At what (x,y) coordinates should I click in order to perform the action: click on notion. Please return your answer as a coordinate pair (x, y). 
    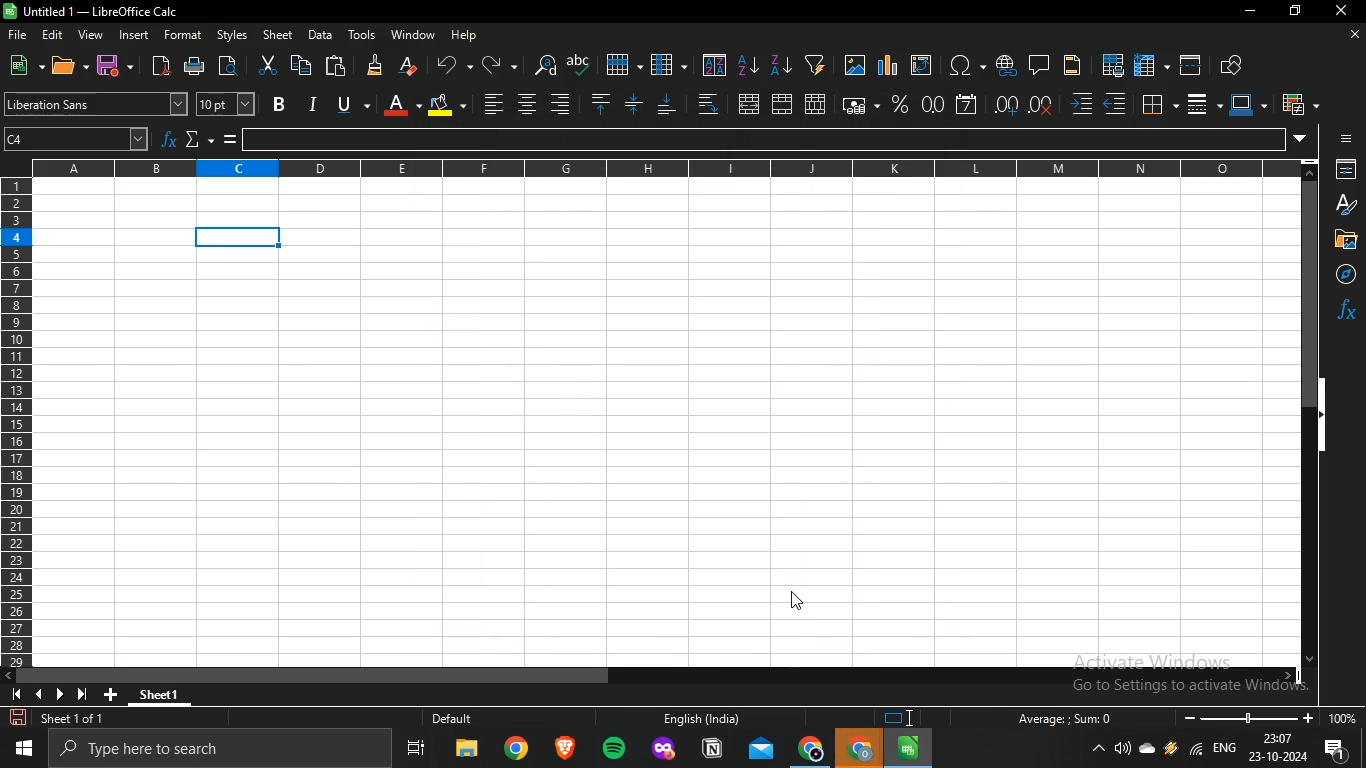
    Looking at the image, I should click on (712, 750).